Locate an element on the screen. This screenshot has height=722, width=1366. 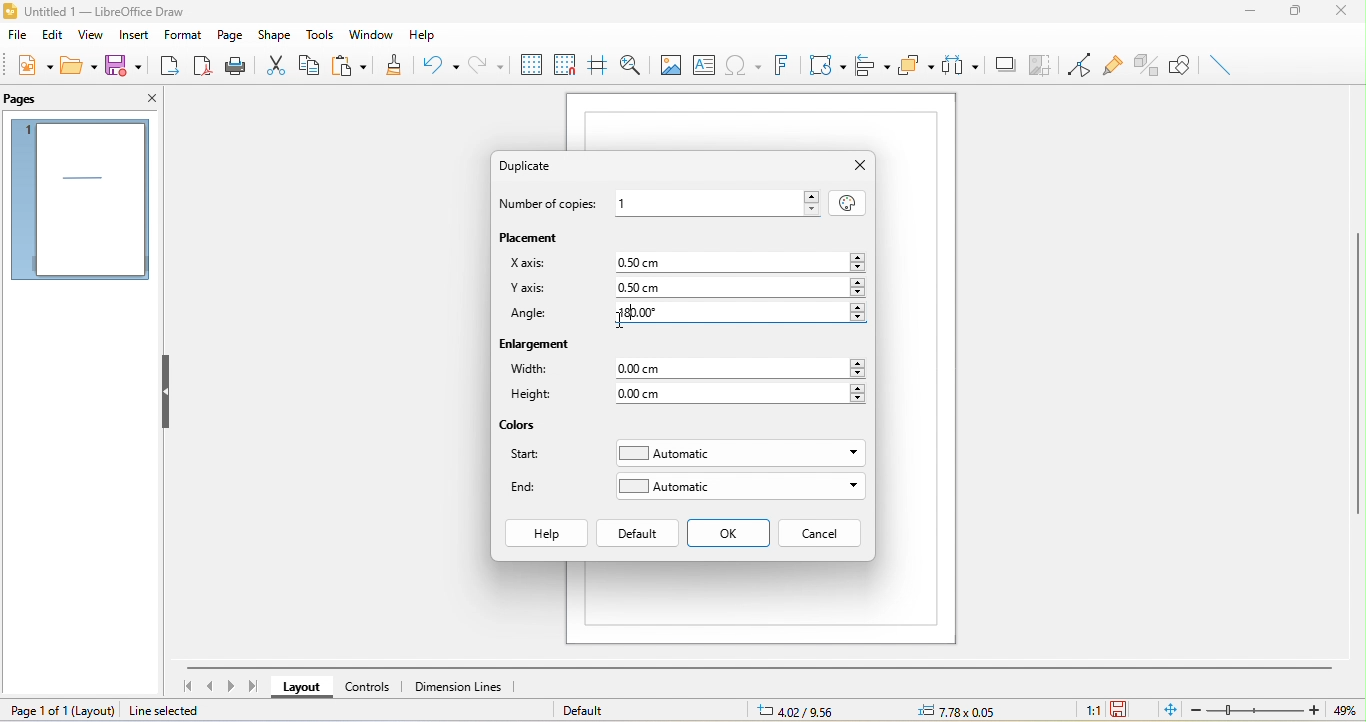
maximize is located at coordinates (1297, 14).